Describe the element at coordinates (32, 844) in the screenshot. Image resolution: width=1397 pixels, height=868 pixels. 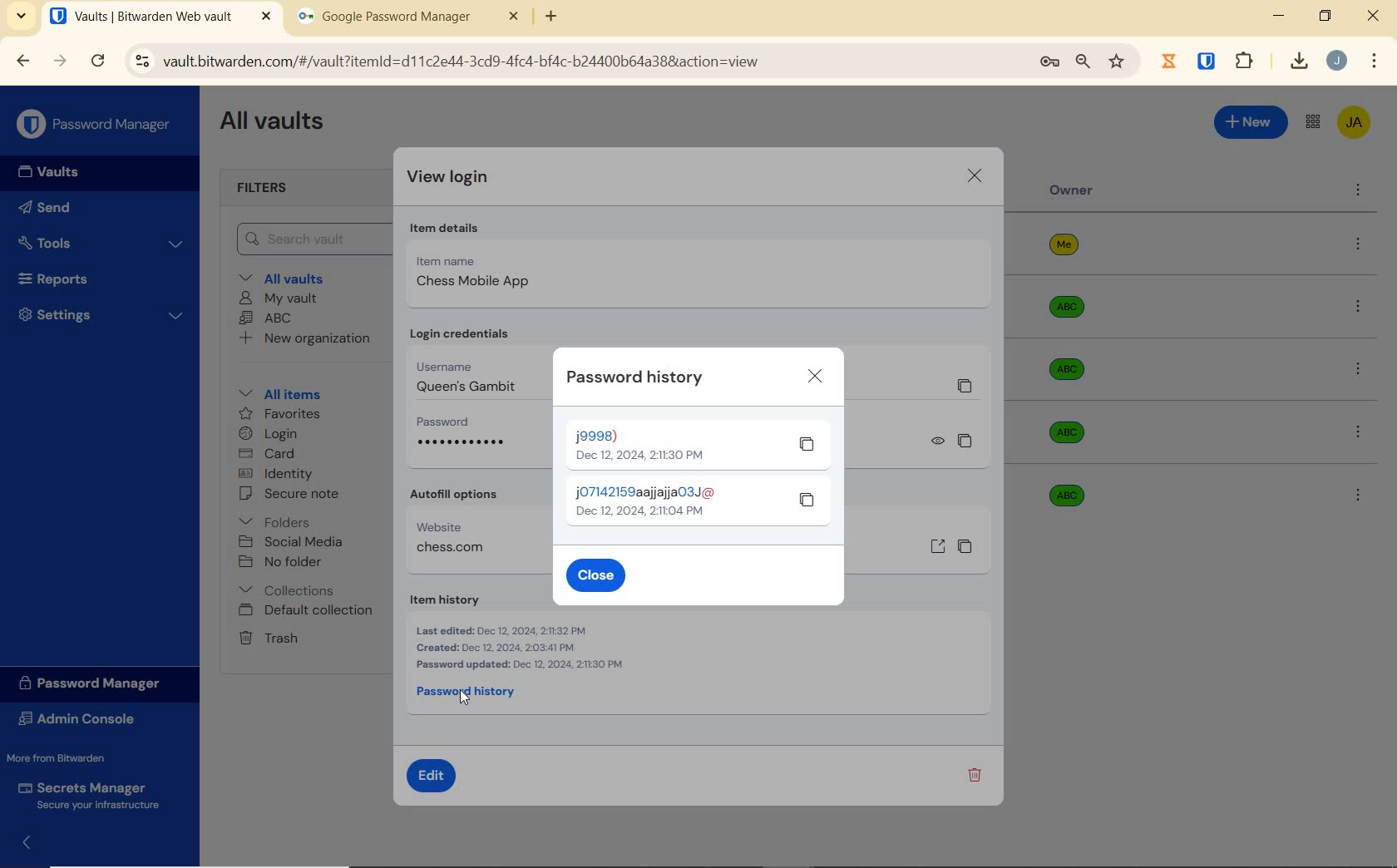
I see `expand/collapse` at that location.